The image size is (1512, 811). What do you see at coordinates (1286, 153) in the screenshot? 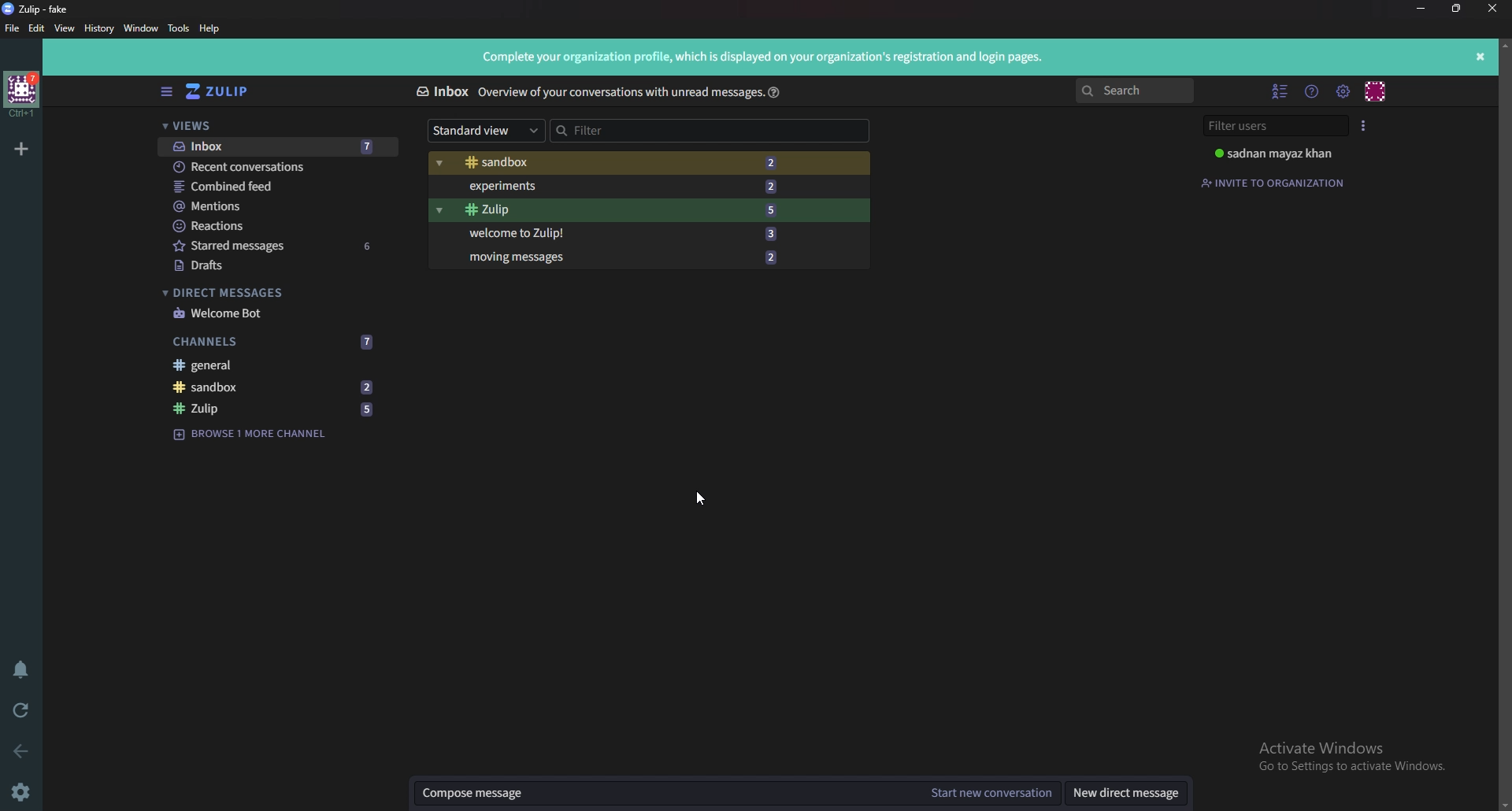
I see `sadnan mayaz khan` at bounding box center [1286, 153].